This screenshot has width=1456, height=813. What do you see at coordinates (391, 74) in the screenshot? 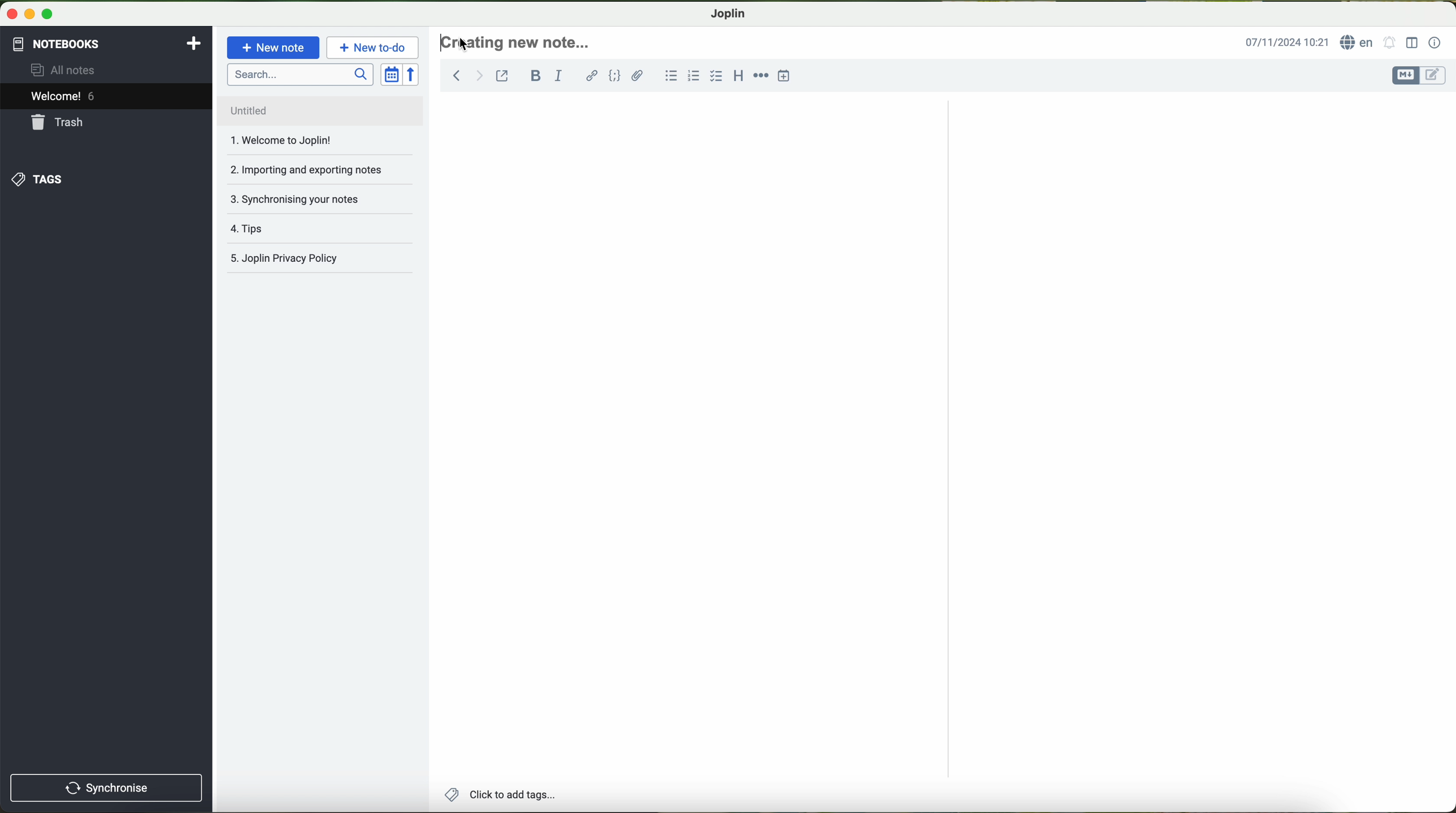
I see `toggle sort order field` at bounding box center [391, 74].